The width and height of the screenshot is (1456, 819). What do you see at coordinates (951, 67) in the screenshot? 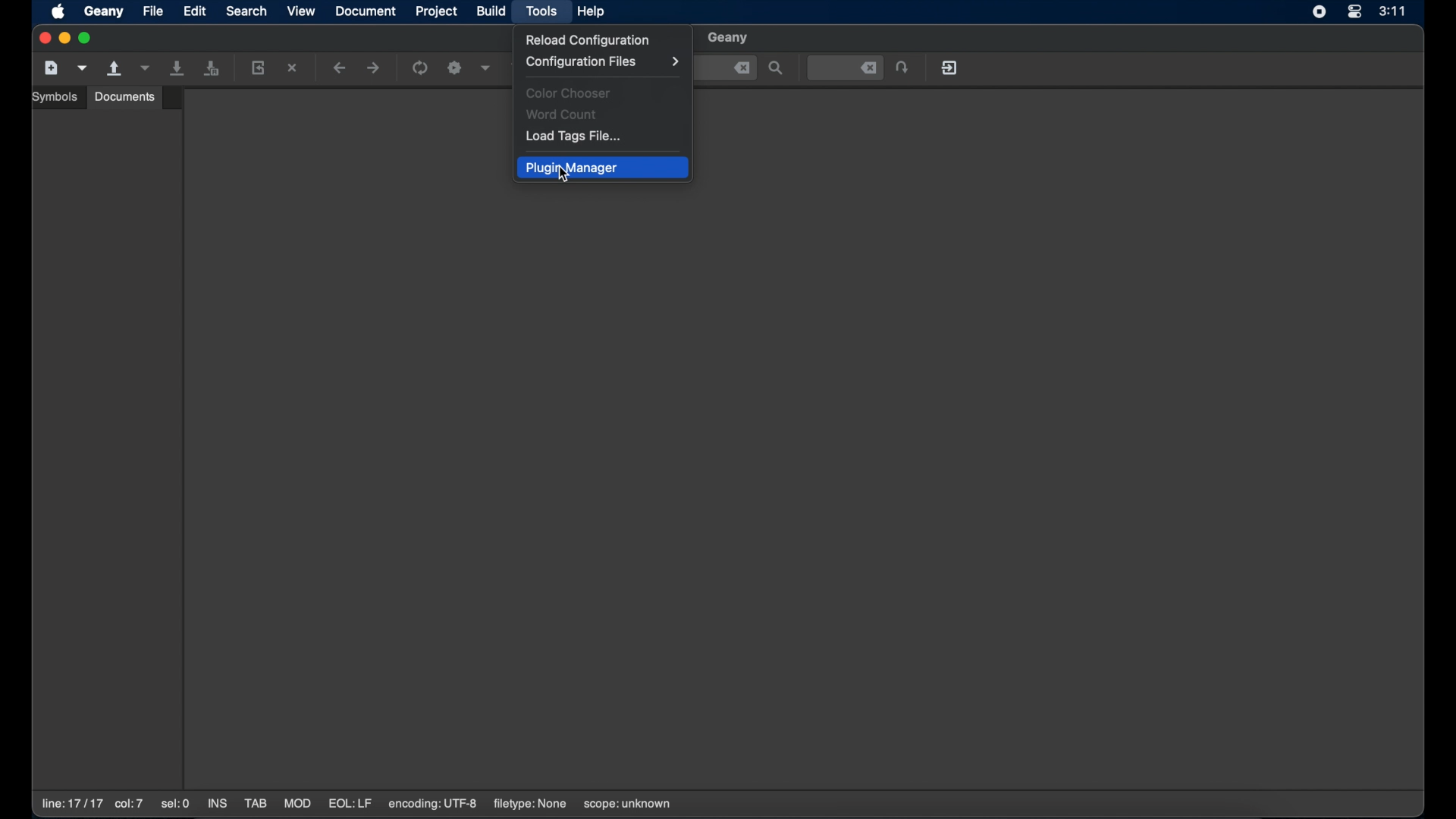
I see `quit geany` at bounding box center [951, 67].